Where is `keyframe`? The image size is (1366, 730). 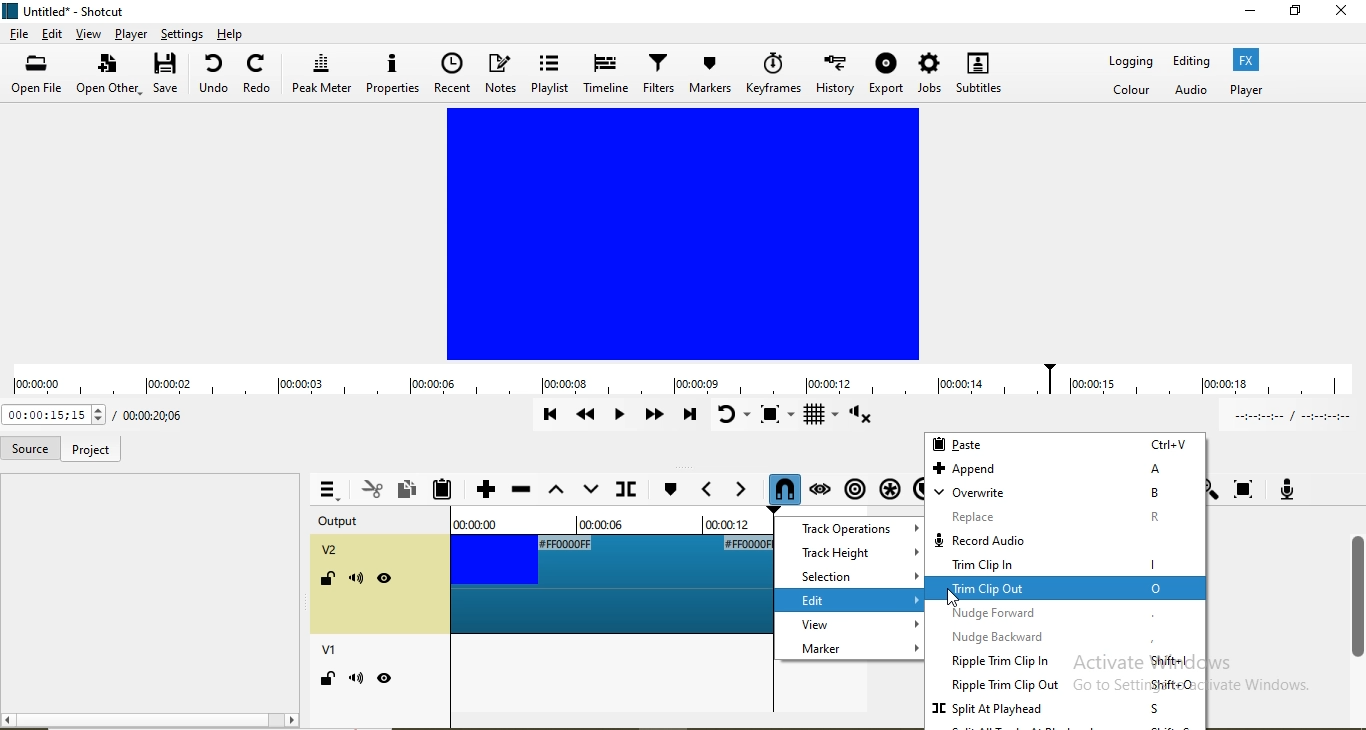
keyframe is located at coordinates (774, 72).